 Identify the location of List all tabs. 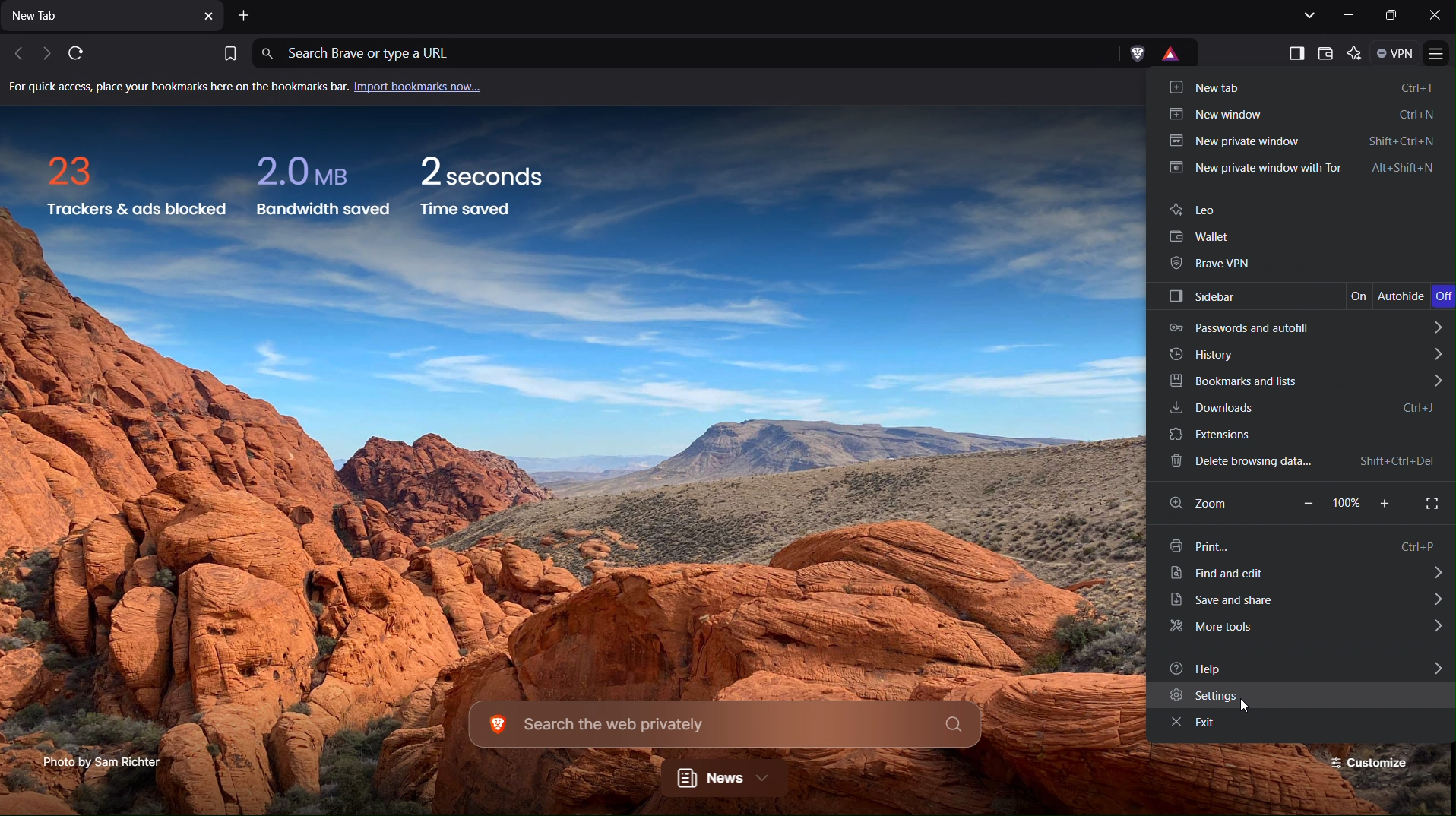
(1305, 14).